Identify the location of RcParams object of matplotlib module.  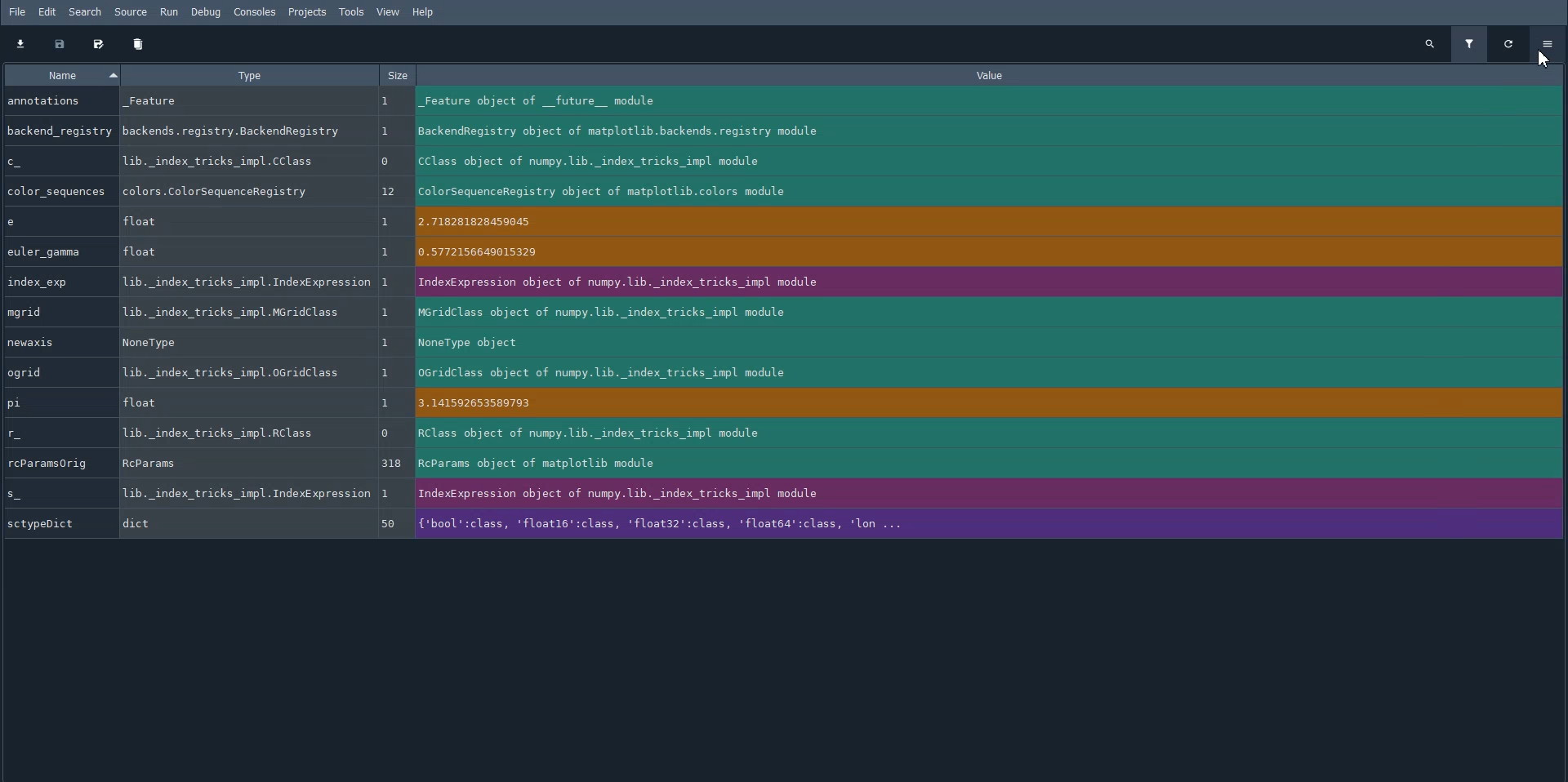
(989, 464).